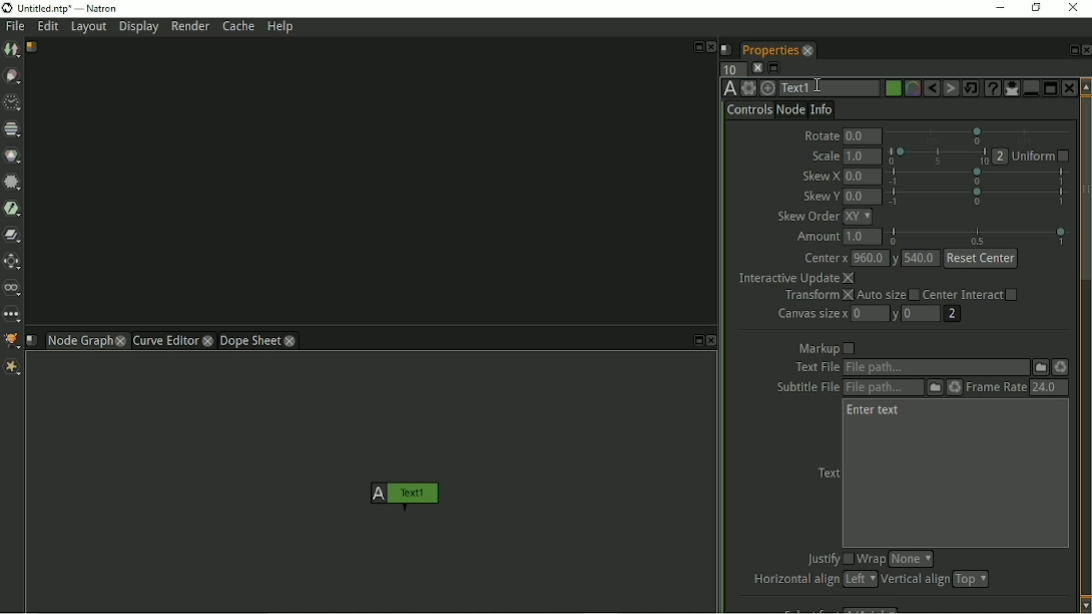  I want to click on cursor, so click(817, 83).